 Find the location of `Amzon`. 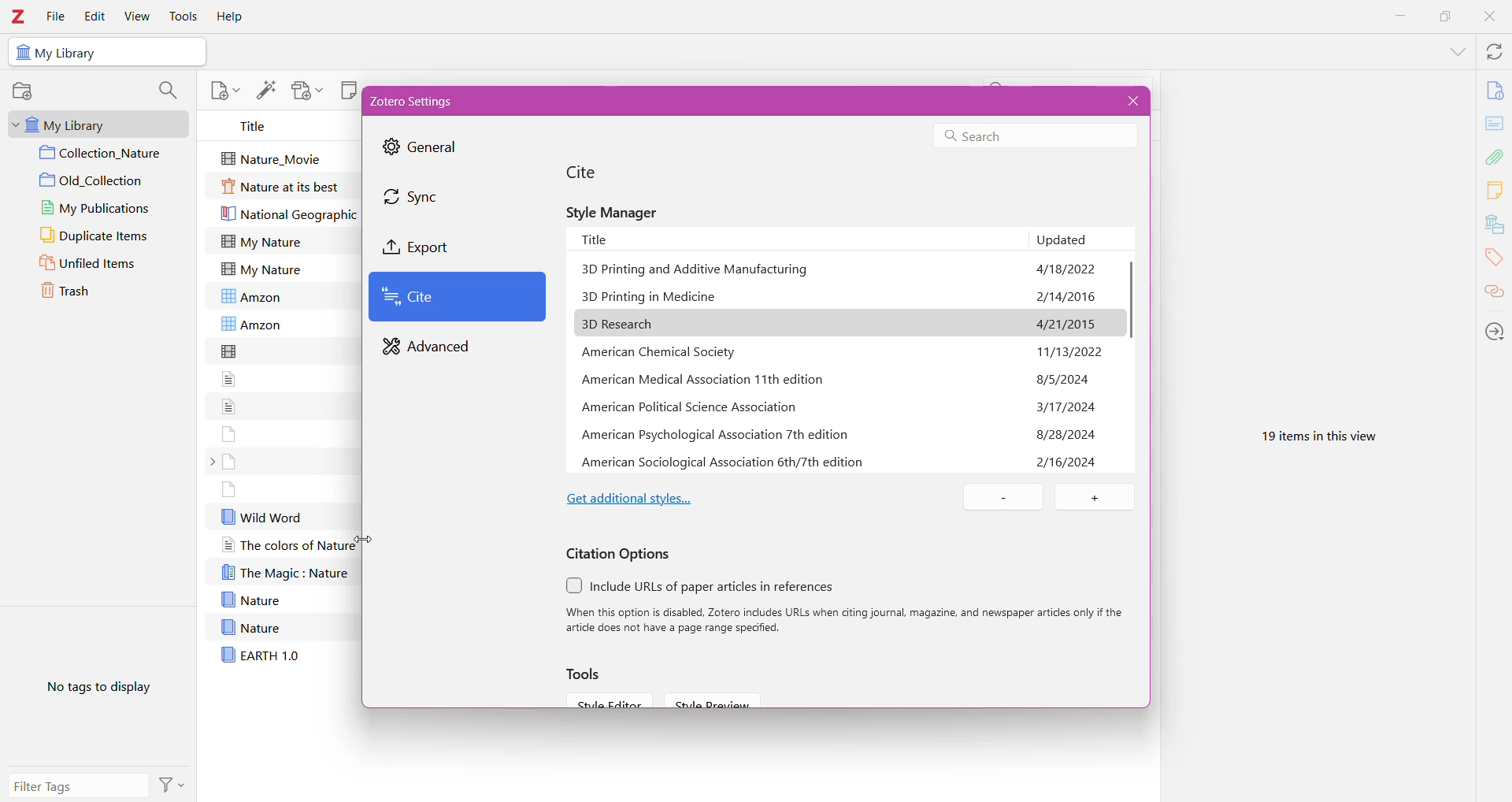

Amzon is located at coordinates (252, 325).